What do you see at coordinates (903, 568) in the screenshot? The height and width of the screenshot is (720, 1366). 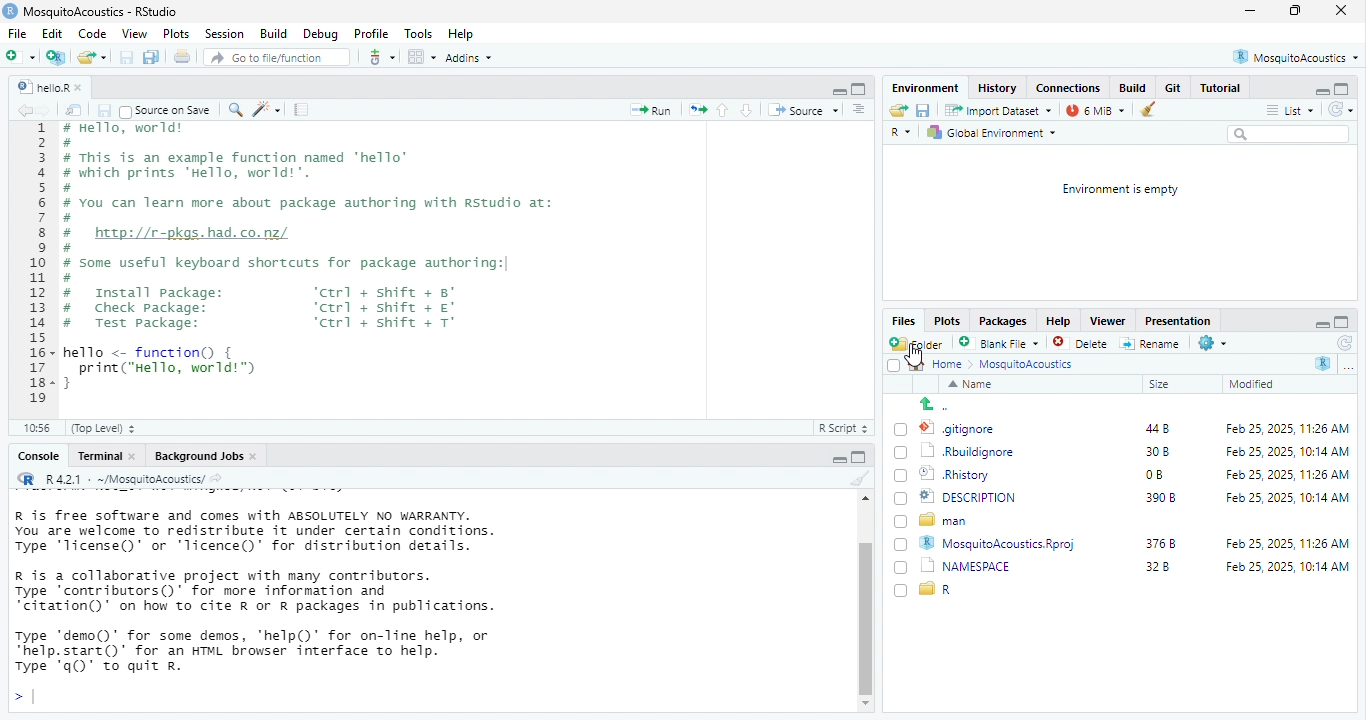 I see `checkbox` at bounding box center [903, 568].